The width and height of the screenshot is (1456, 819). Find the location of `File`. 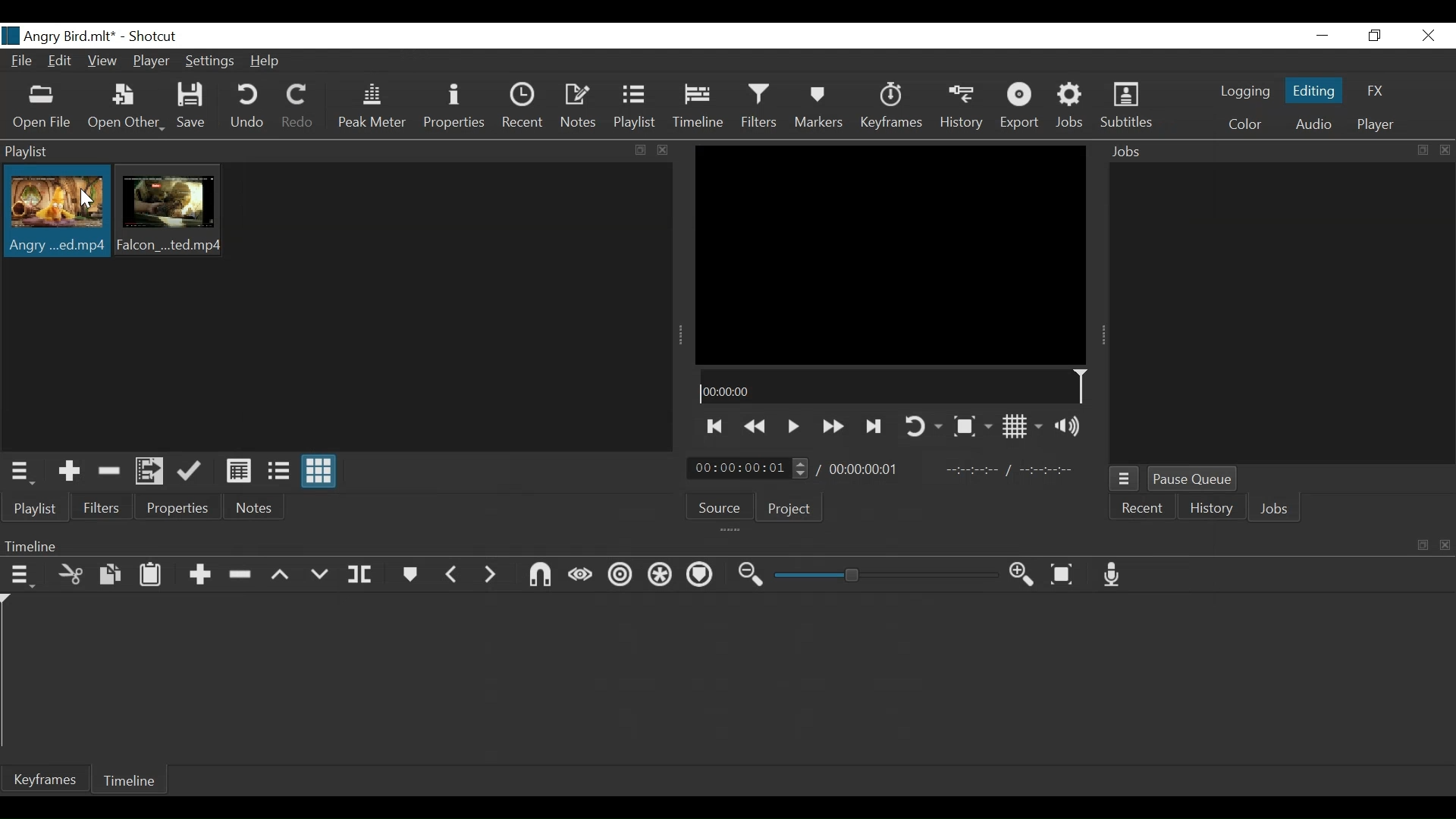

File is located at coordinates (20, 62).